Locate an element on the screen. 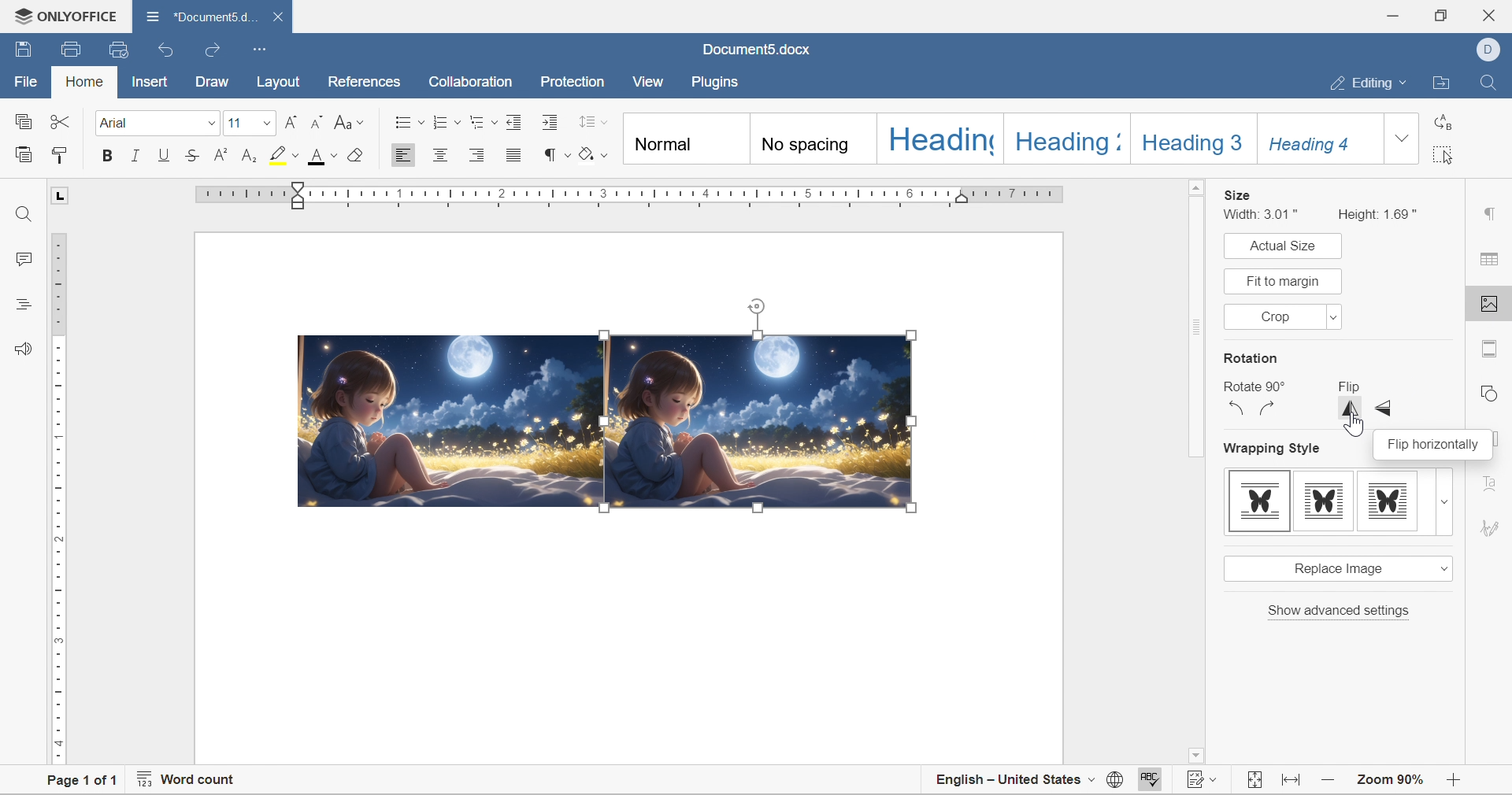  rotate clockwise is located at coordinates (1267, 408).